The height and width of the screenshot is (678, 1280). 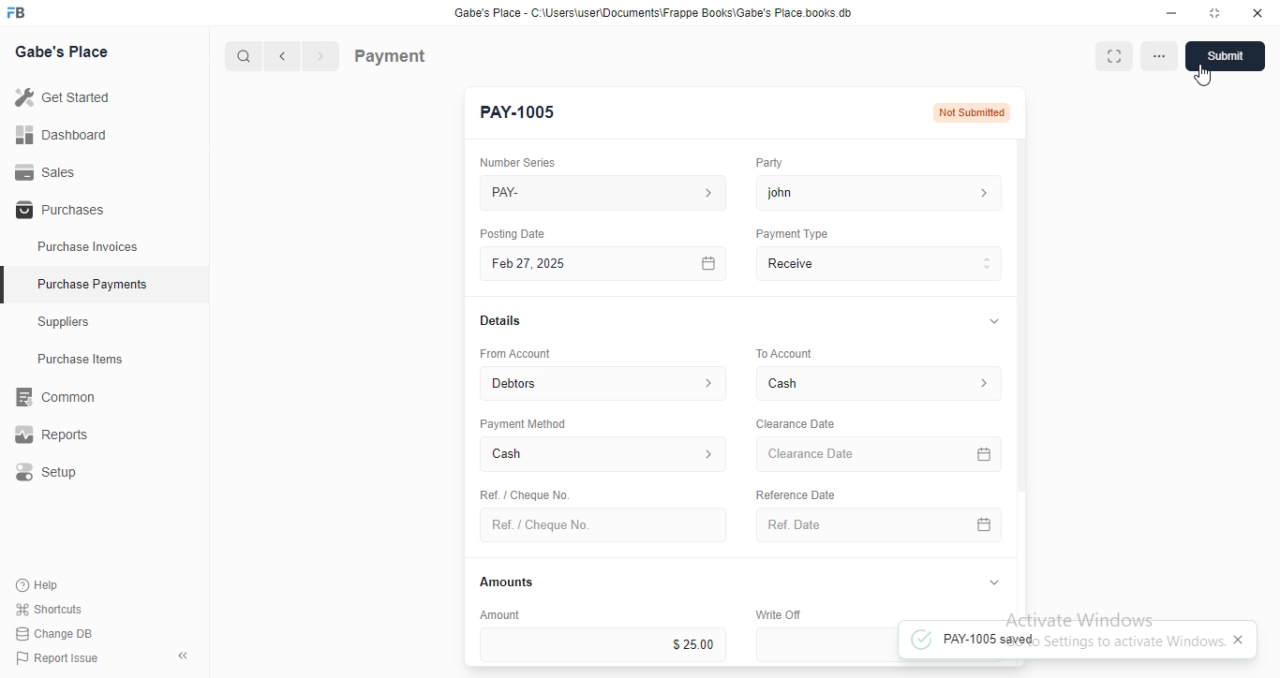 What do you see at coordinates (767, 163) in the screenshot?
I see `Party` at bounding box center [767, 163].